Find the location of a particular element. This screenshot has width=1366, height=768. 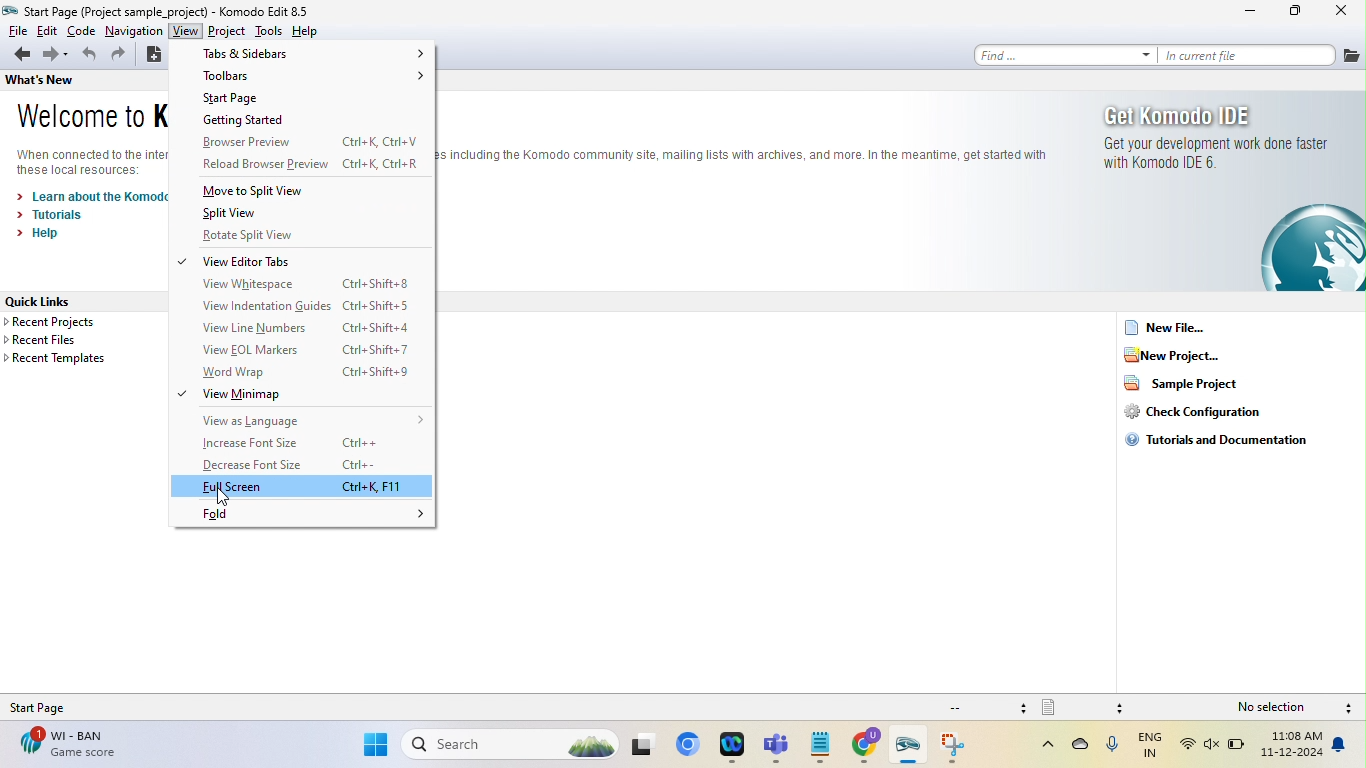

getting started is located at coordinates (282, 122).